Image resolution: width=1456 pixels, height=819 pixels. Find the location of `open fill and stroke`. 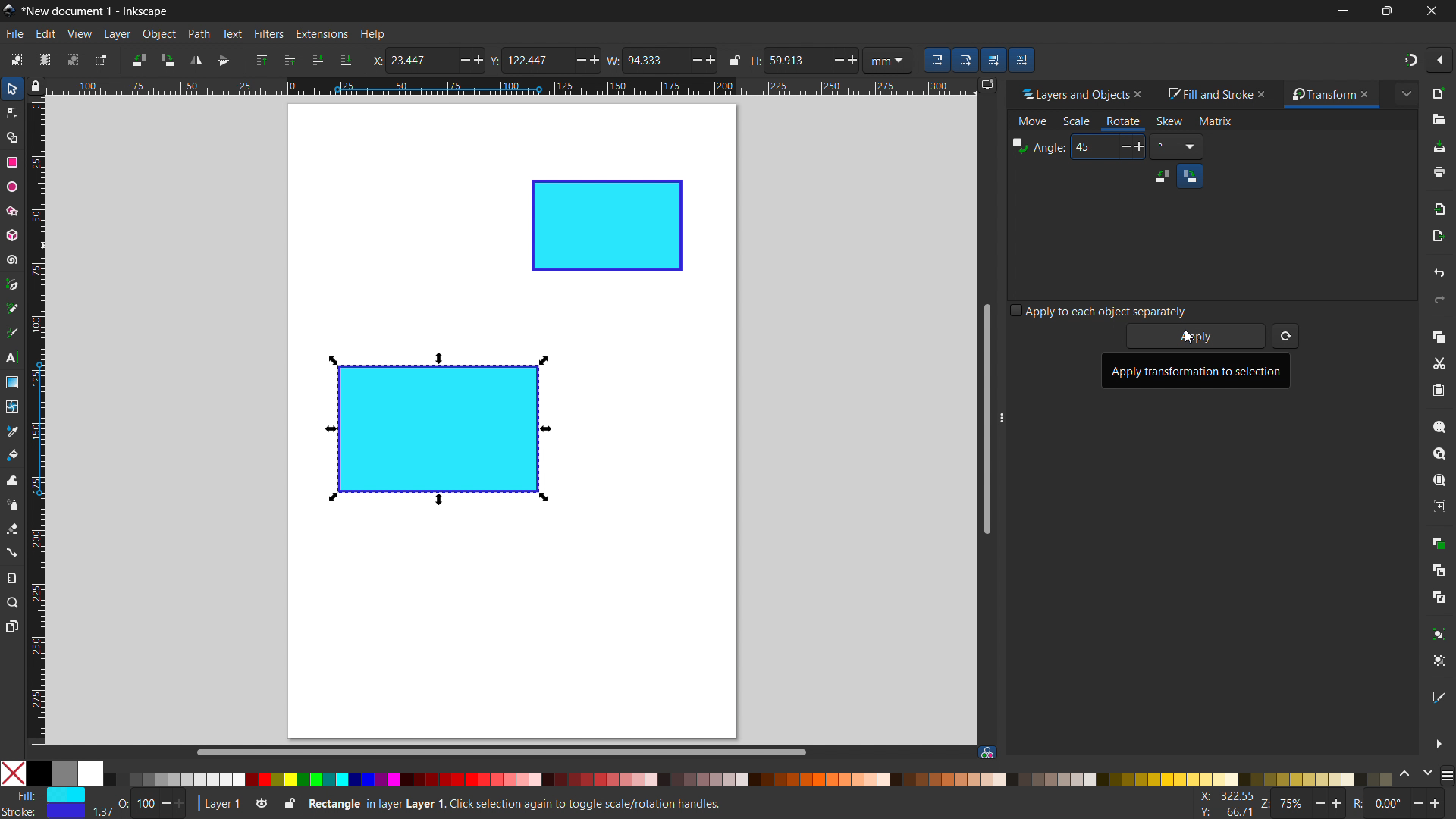

open fill and stroke is located at coordinates (1440, 696).